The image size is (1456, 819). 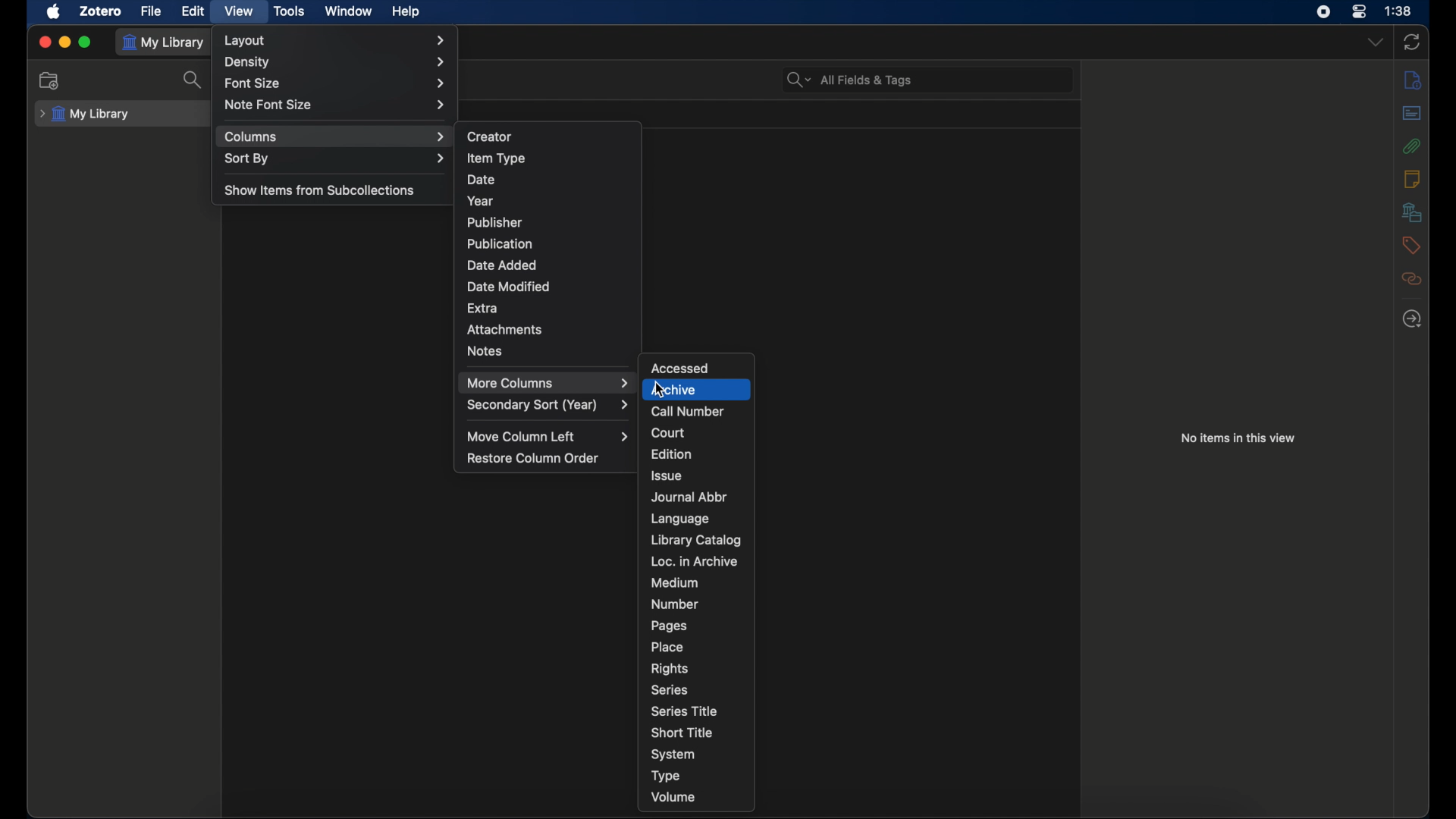 What do you see at coordinates (152, 11) in the screenshot?
I see `file` at bounding box center [152, 11].